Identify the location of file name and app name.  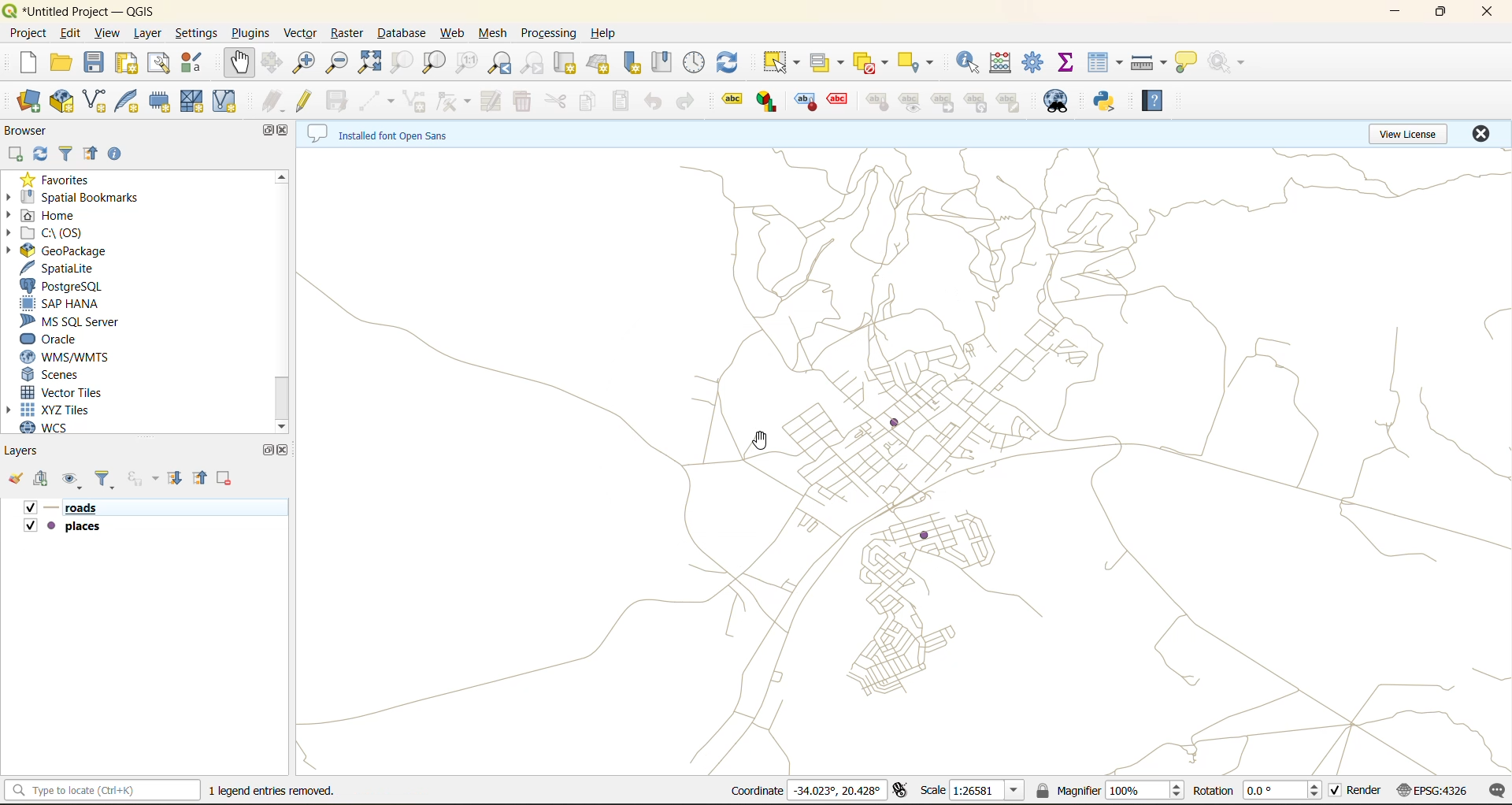
(80, 12).